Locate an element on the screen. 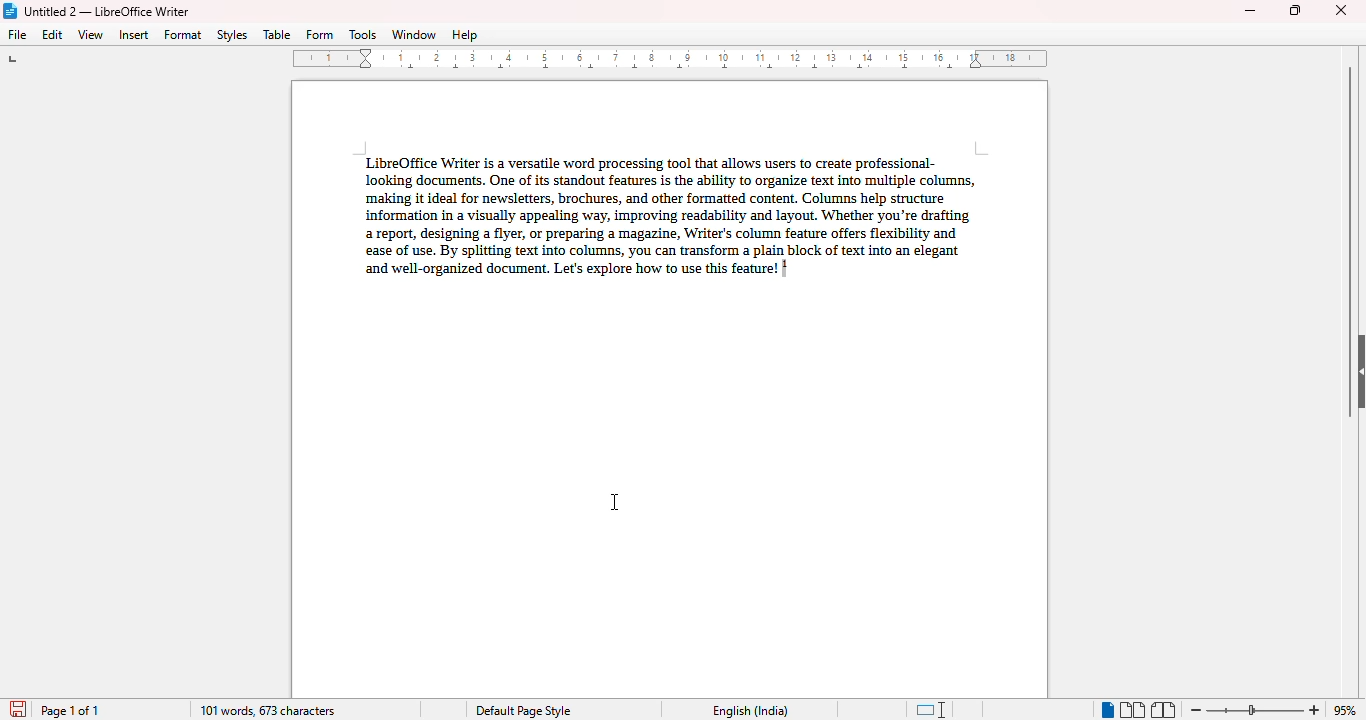 Image resolution: width=1366 pixels, height=720 pixels. window is located at coordinates (414, 34).